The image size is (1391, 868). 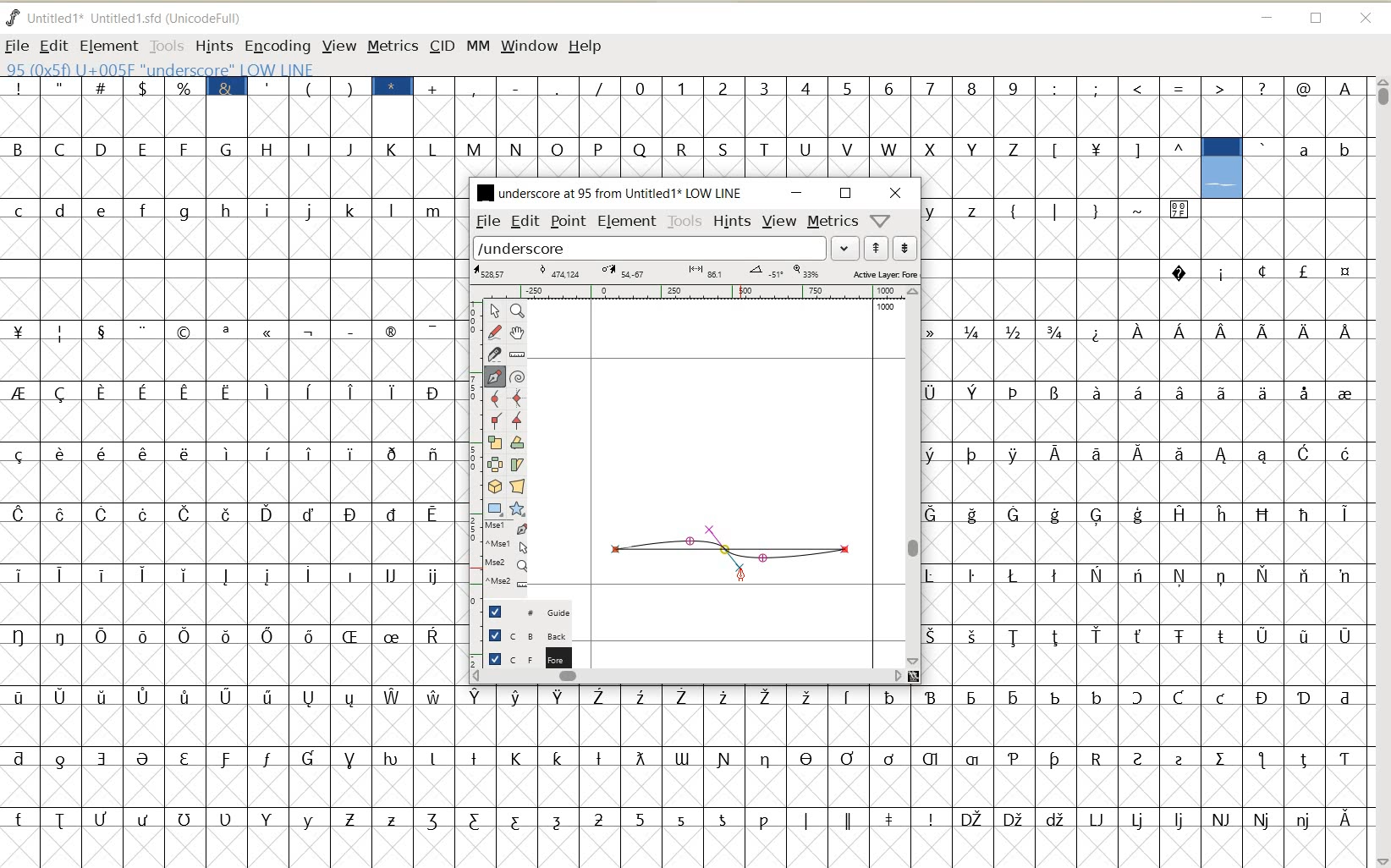 I want to click on polygon or star, so click(x=516, y=508).